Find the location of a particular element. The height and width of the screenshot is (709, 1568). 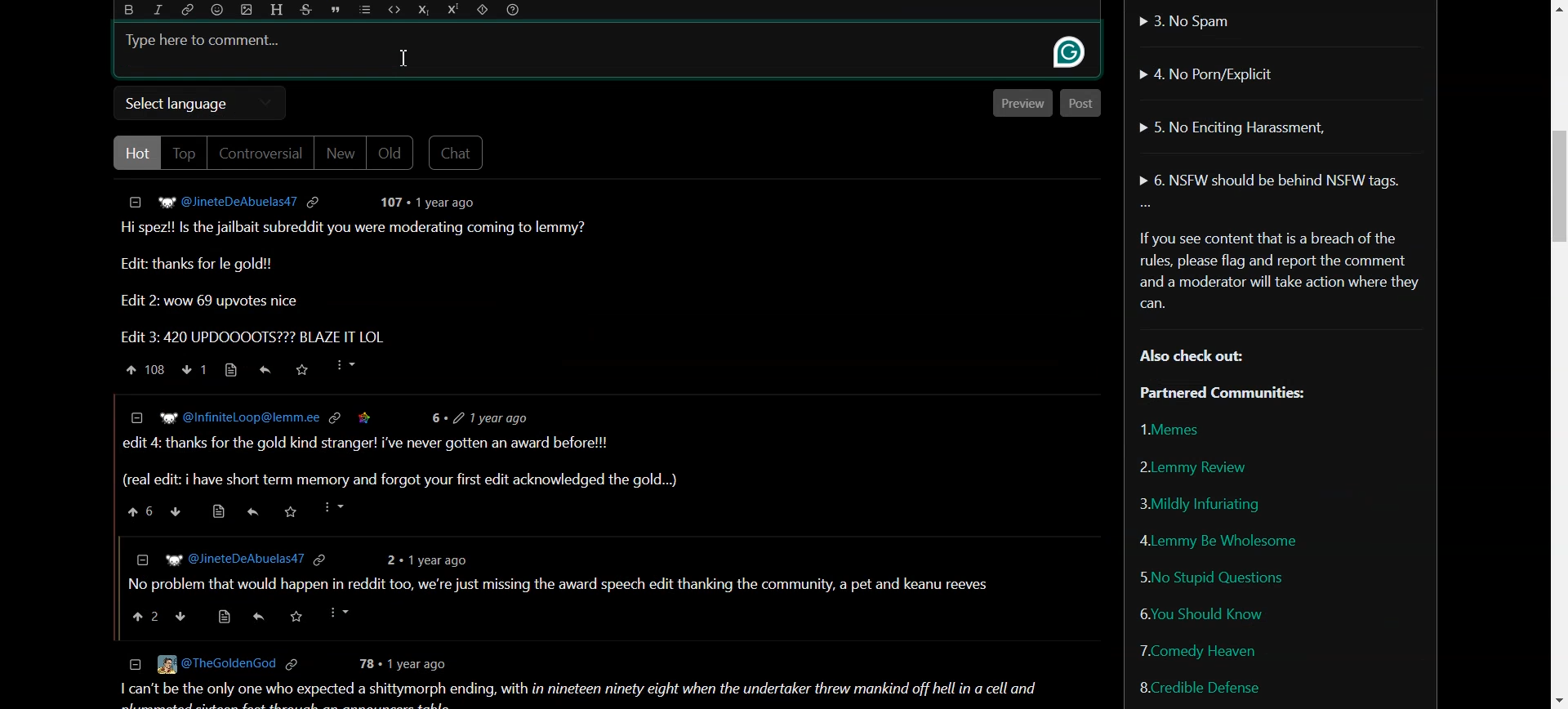

No Enciting Harassment is located at coordinates (1232, 125).